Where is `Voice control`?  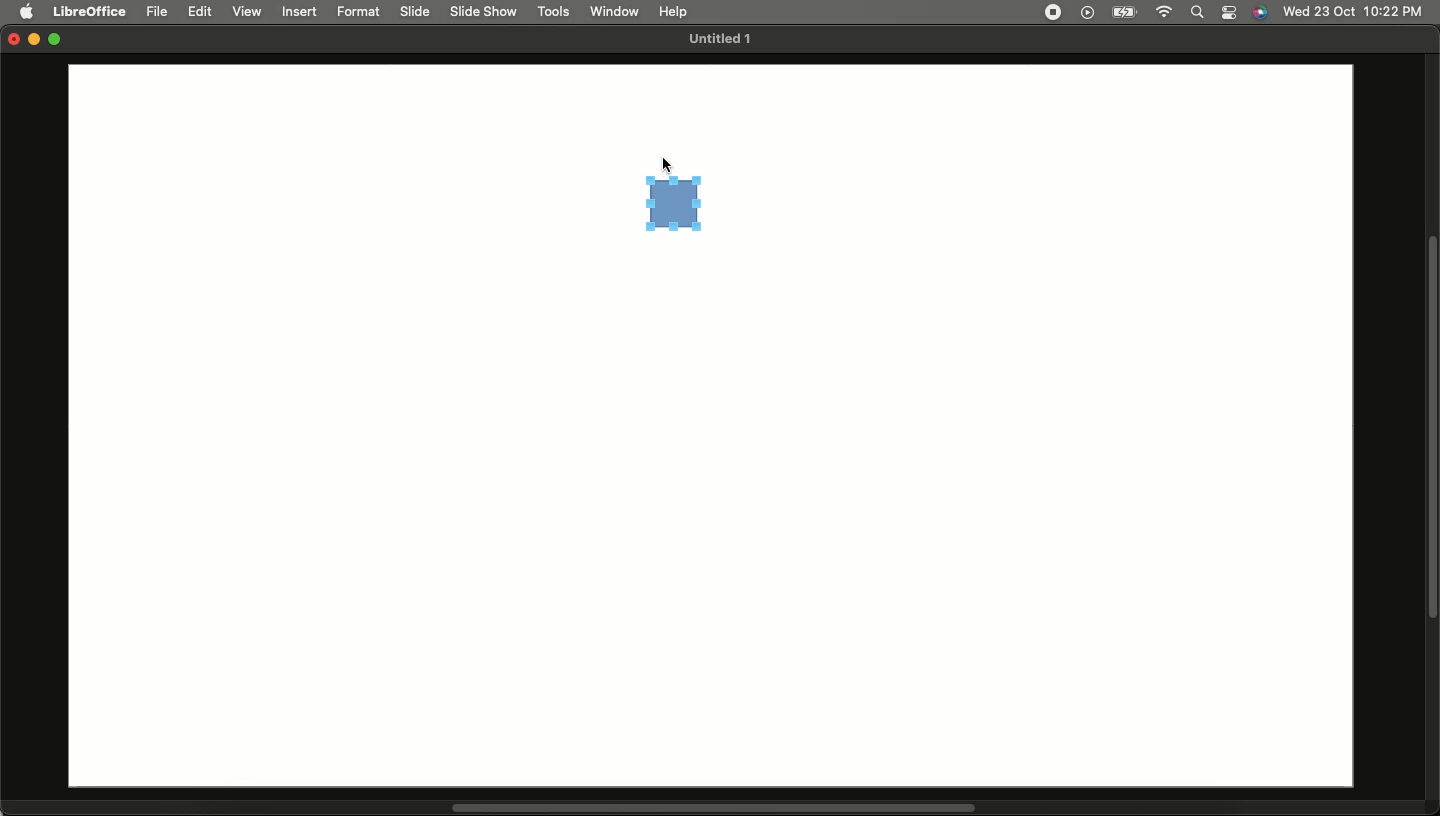 Voice control is located at coordinates (1259, 13).